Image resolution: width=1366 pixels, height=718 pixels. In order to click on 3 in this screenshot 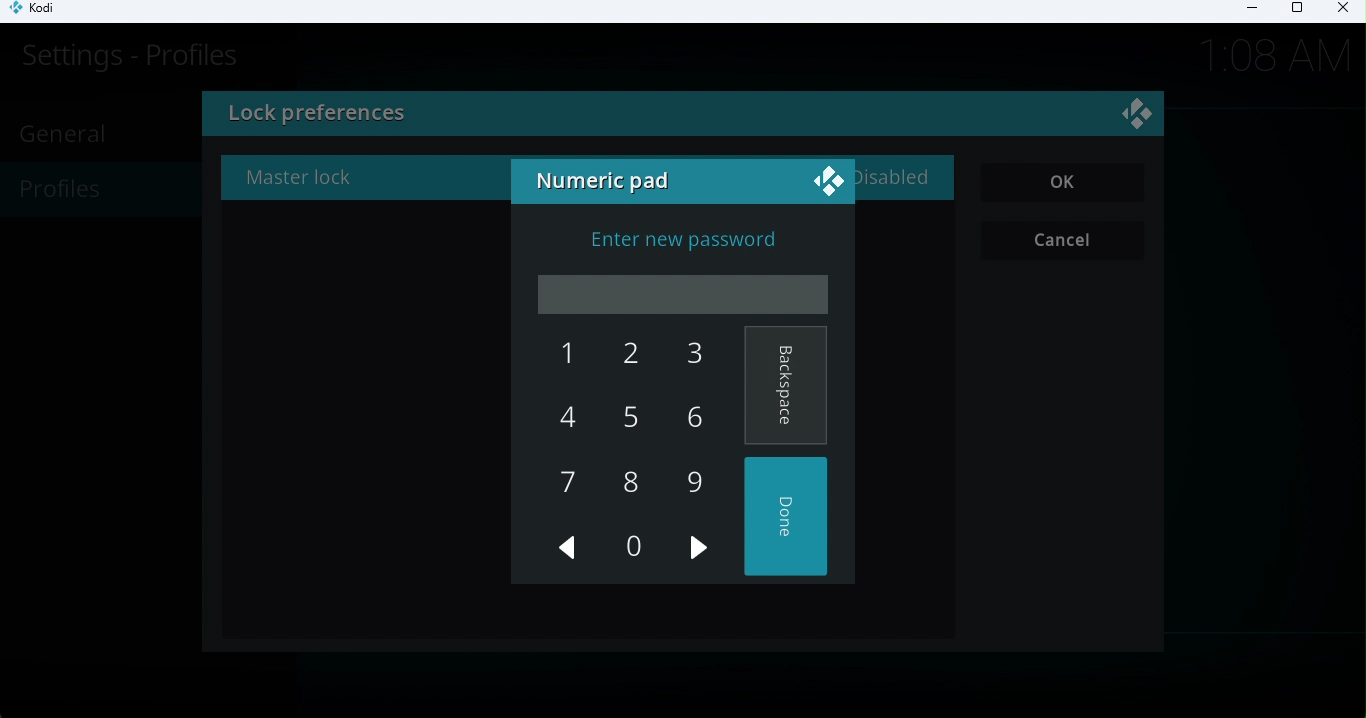, I will do `click(683, 356)`.